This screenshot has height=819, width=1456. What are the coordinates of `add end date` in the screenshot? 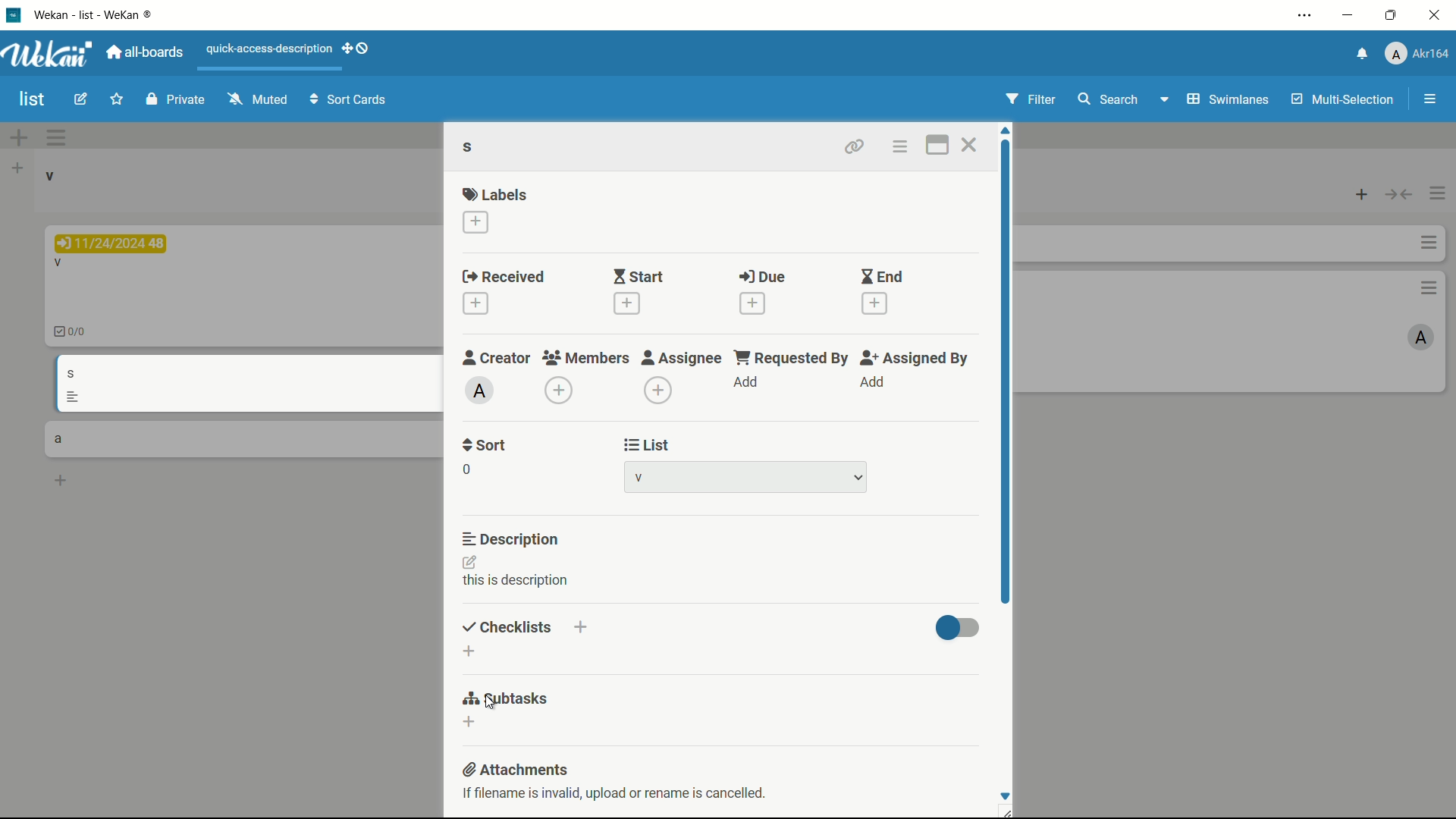 It's located at (876, 304).